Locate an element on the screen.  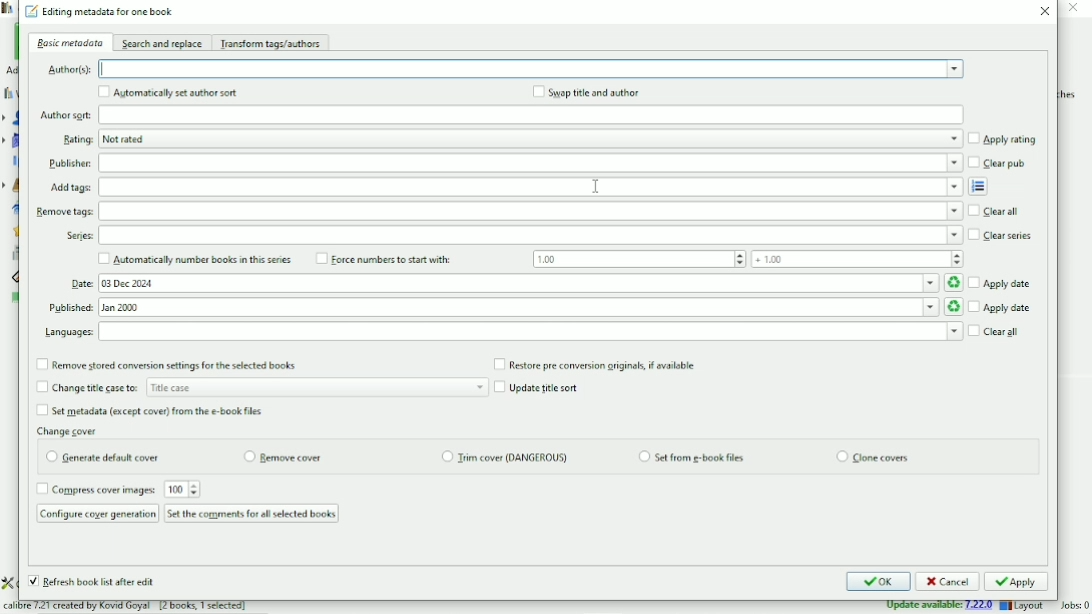
calibre 7.21 created by Kovid Goyal is located at coordinates (140, 605).